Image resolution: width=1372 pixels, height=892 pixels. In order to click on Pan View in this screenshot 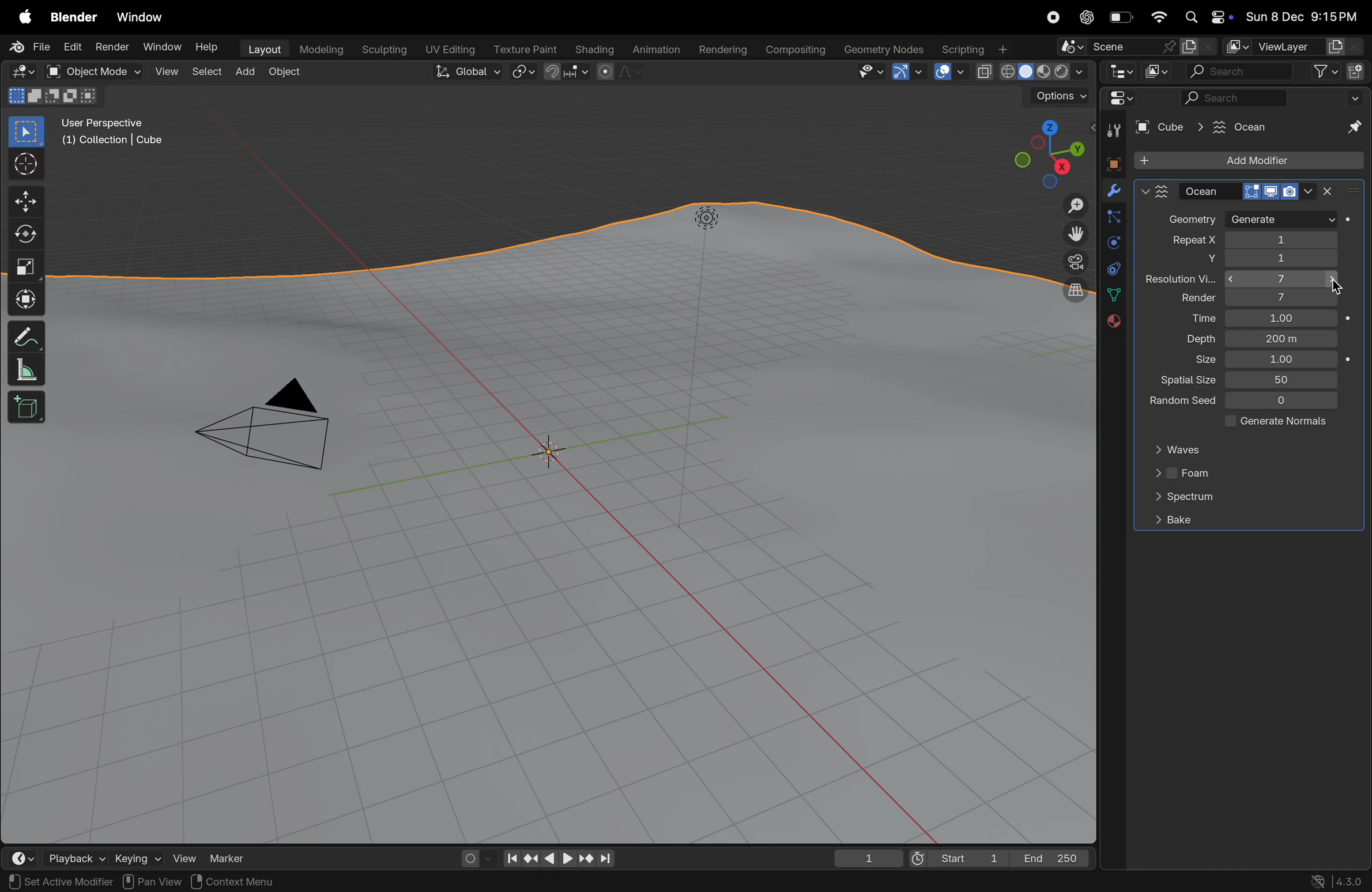, I will do `click(150, 882)`.